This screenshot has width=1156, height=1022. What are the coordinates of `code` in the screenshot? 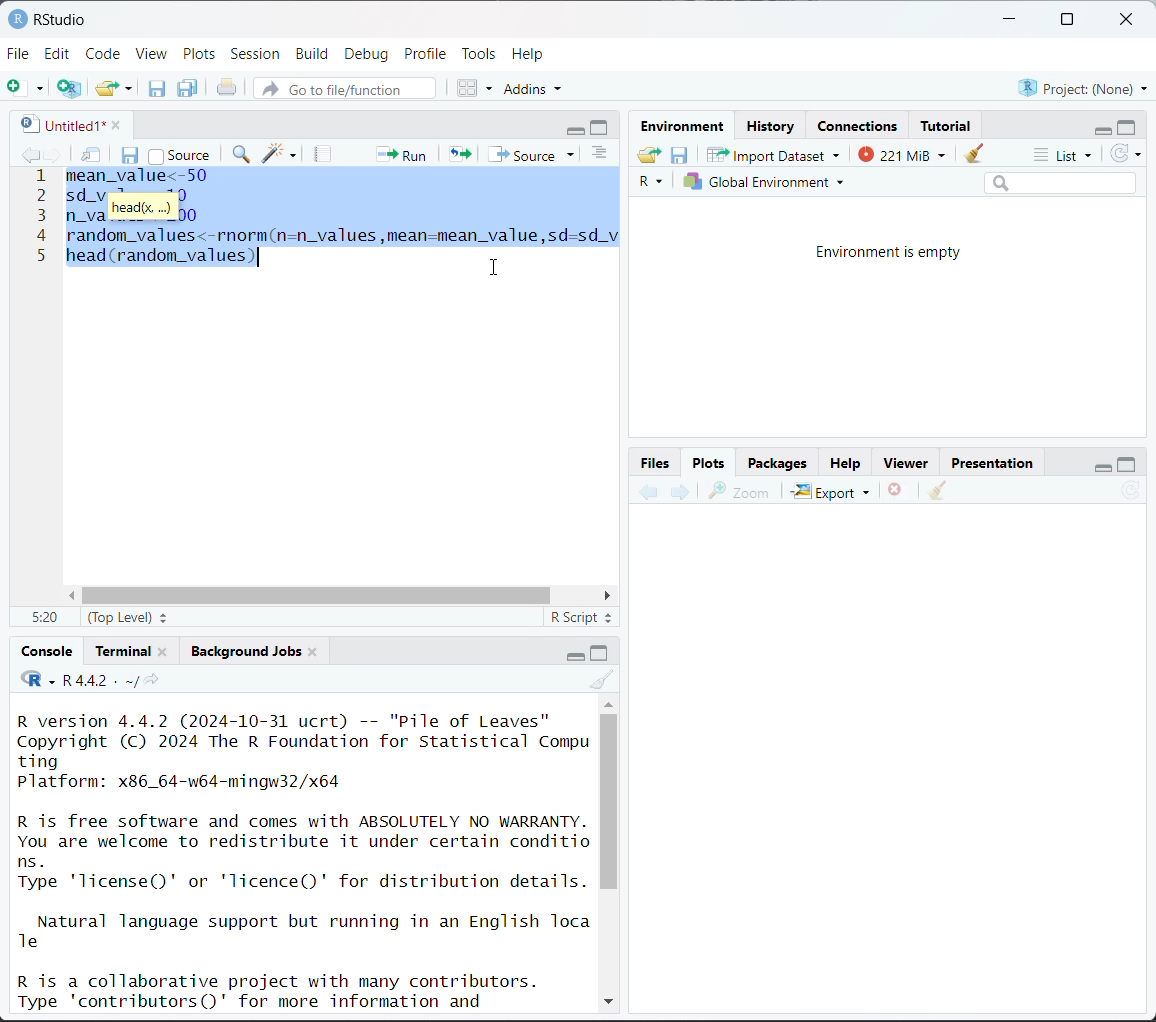 It's located at (37, 680).